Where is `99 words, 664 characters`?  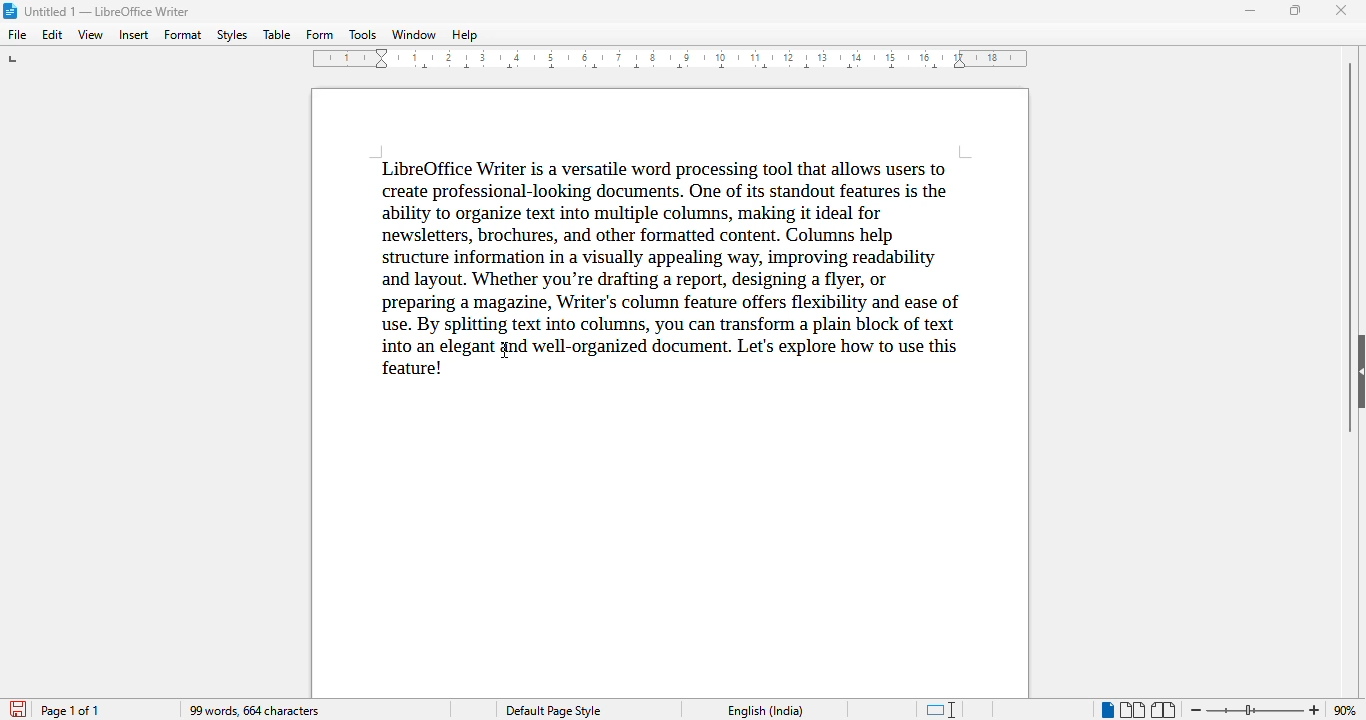
99 words, 664 characters is located at coordinates (253, 710).